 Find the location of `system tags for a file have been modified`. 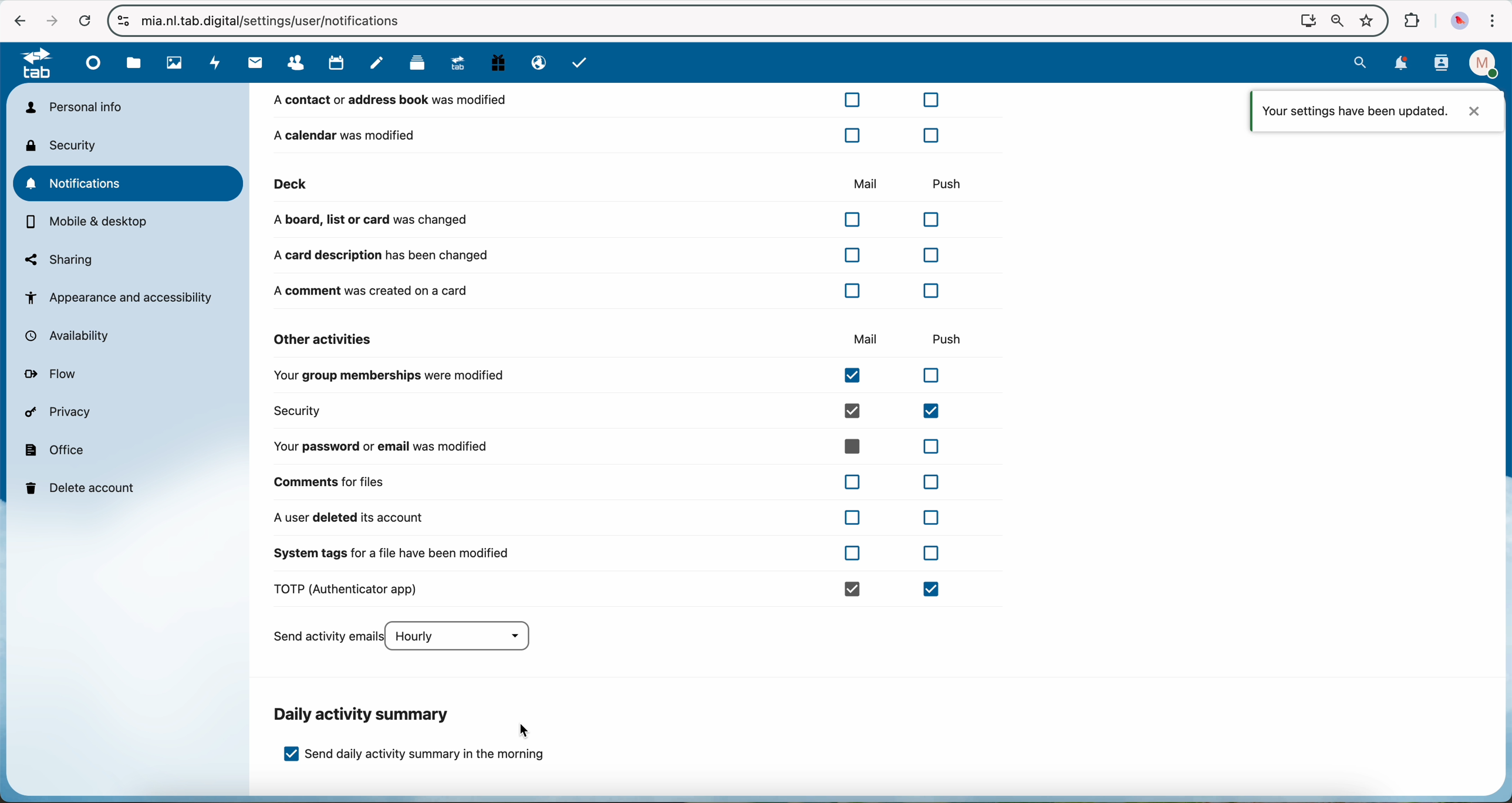

system tags for a file have been modified is located at coordinates (606, 558).